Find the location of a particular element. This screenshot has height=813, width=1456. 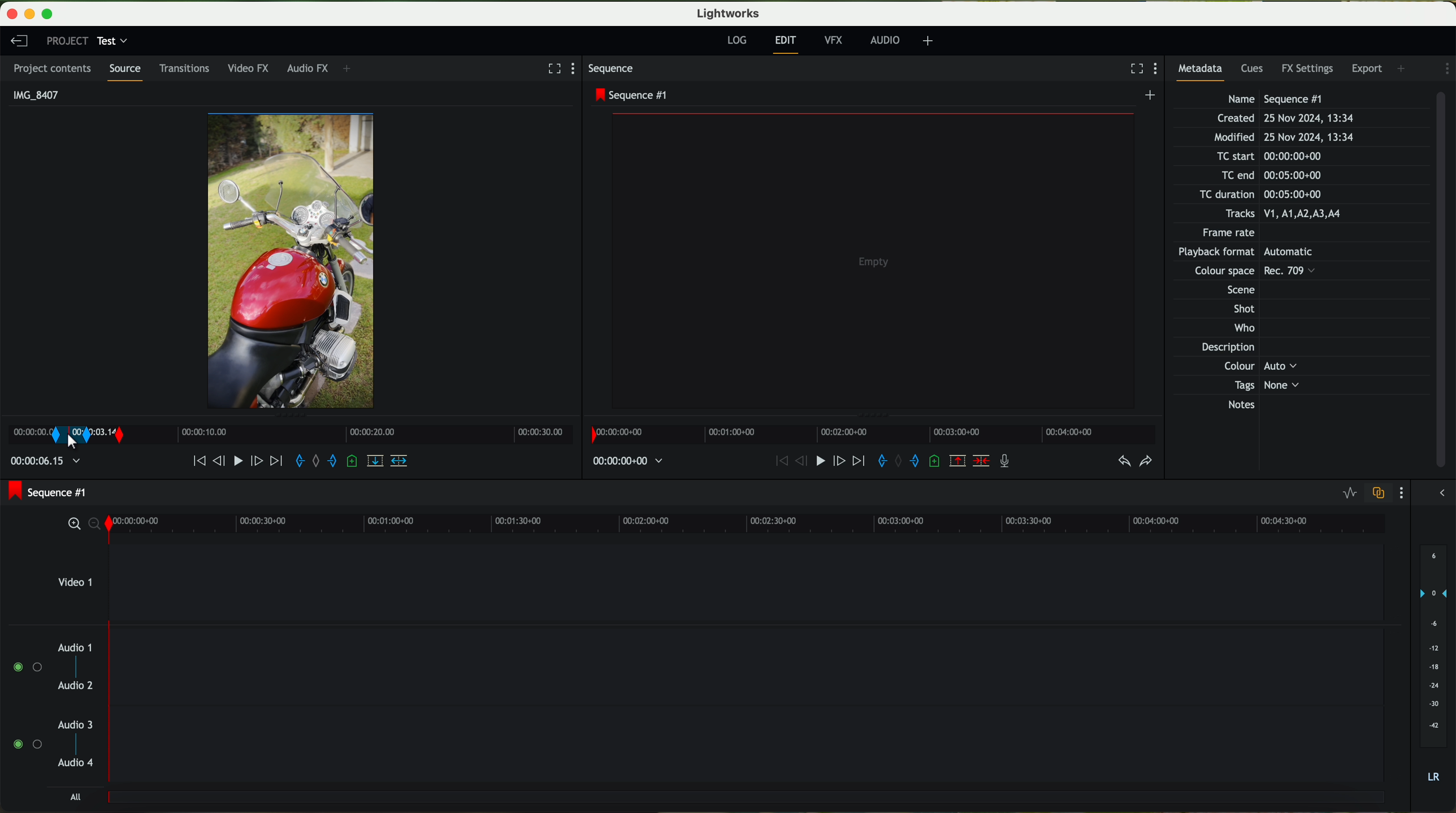

 is located at coordinates (1256, 253).